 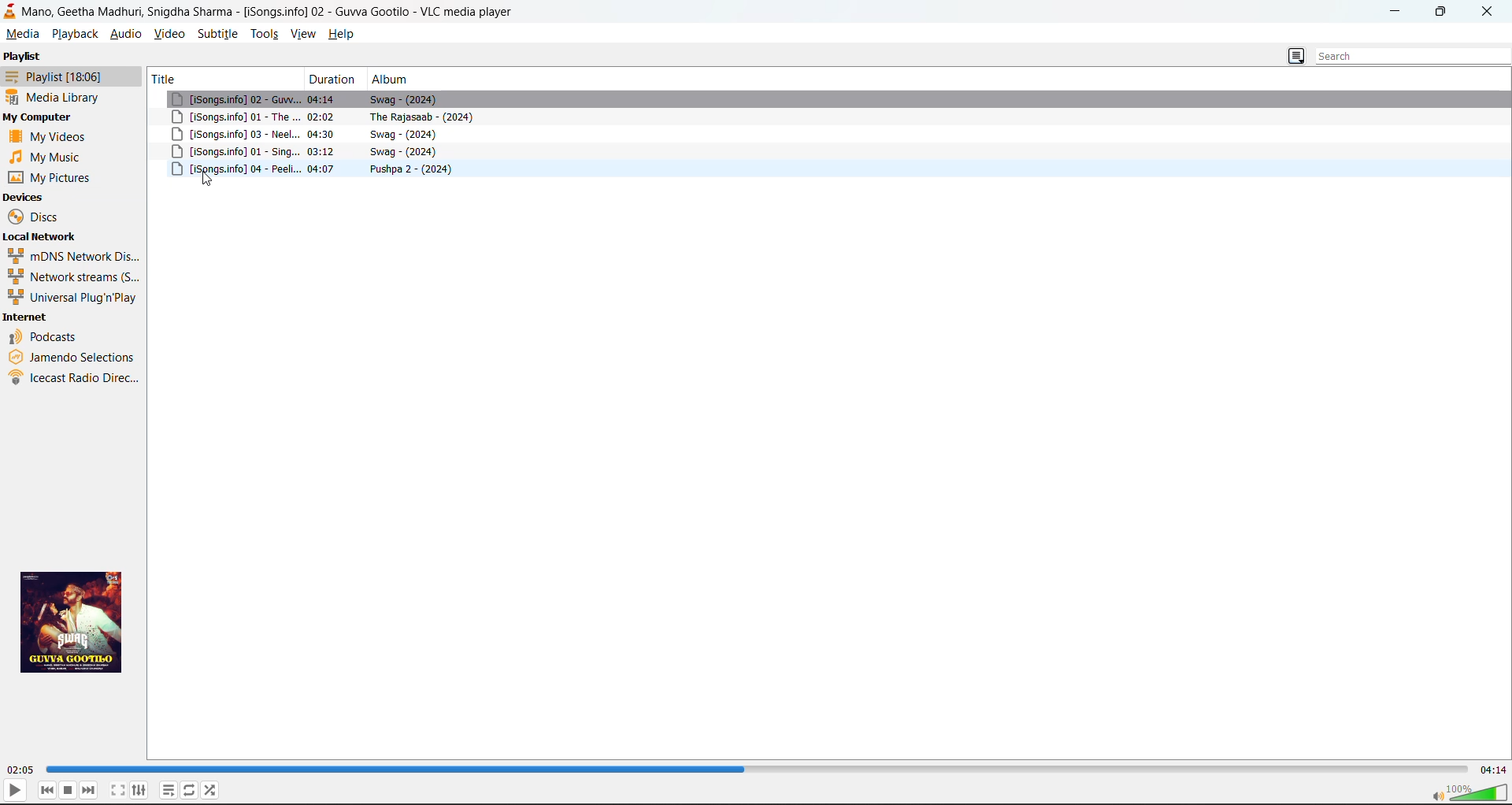 What do you see at coordinates (72, 255) in the screenshot?
I see `mdns network` at bounding box center [72, 255].